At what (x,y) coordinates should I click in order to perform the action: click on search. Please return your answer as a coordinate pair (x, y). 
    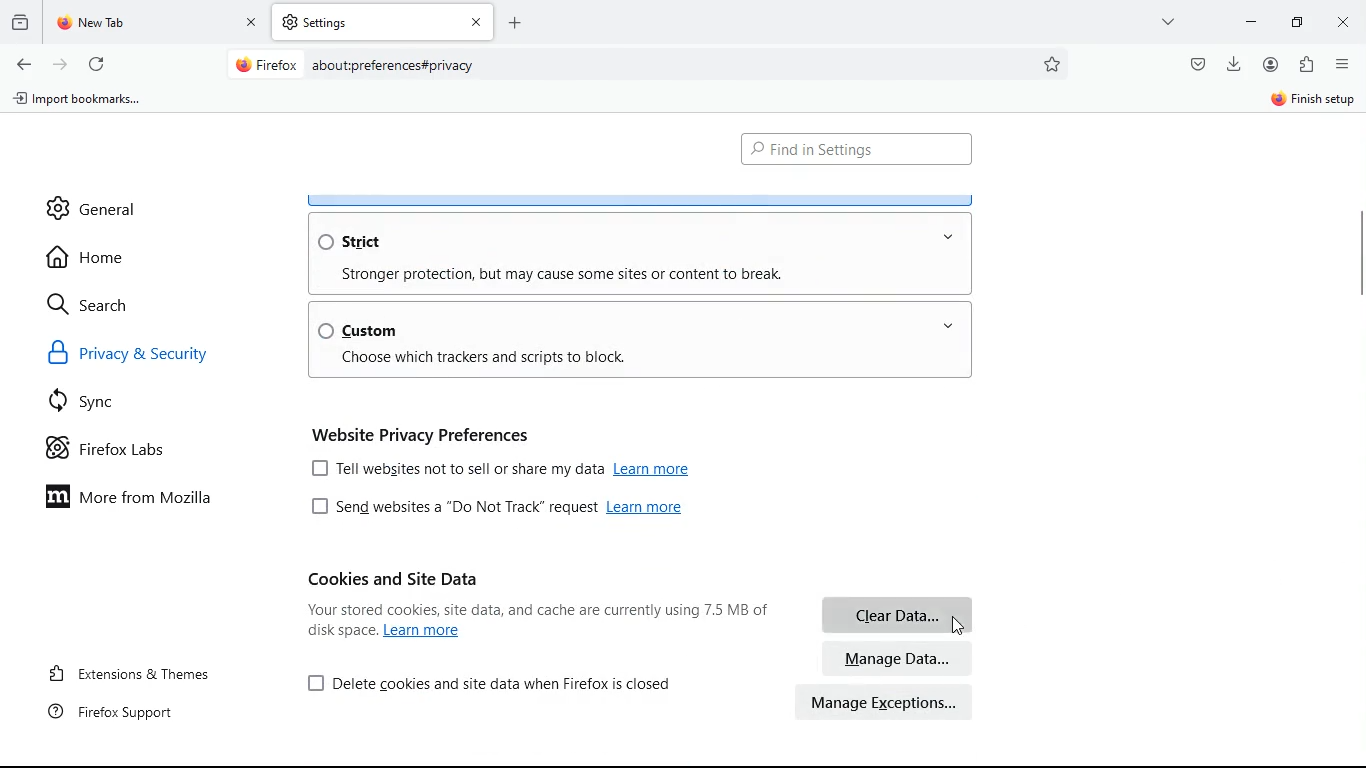
    Looking at the image, I should click on (100, 304).